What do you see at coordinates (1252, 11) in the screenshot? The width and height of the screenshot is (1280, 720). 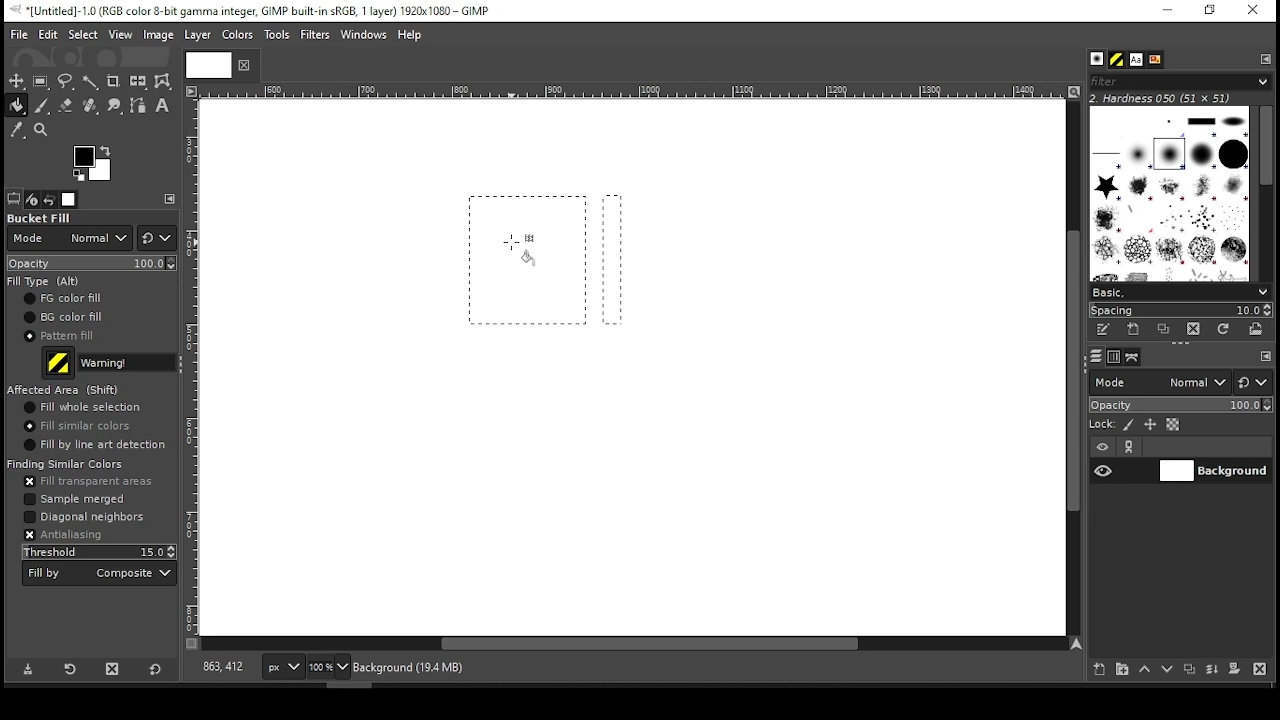 I see `close window` at bounding box center [1252, 11].